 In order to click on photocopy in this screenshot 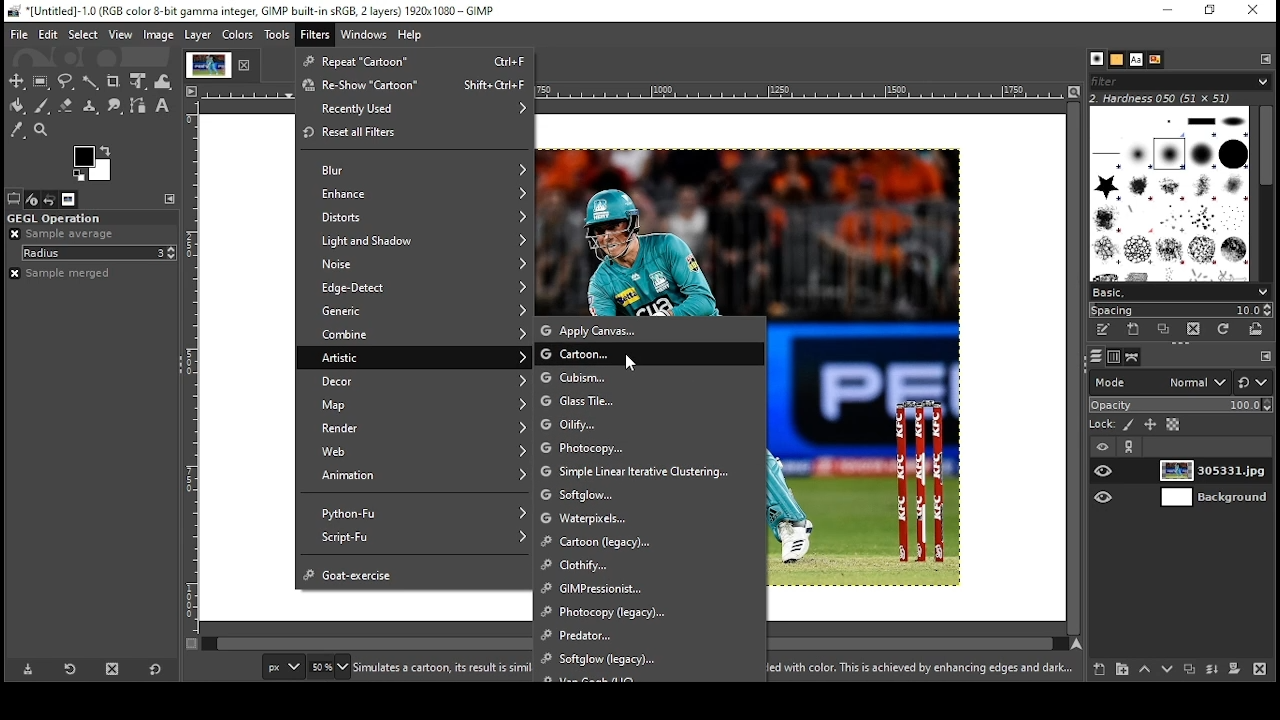, I will do `click(649, 446)`.